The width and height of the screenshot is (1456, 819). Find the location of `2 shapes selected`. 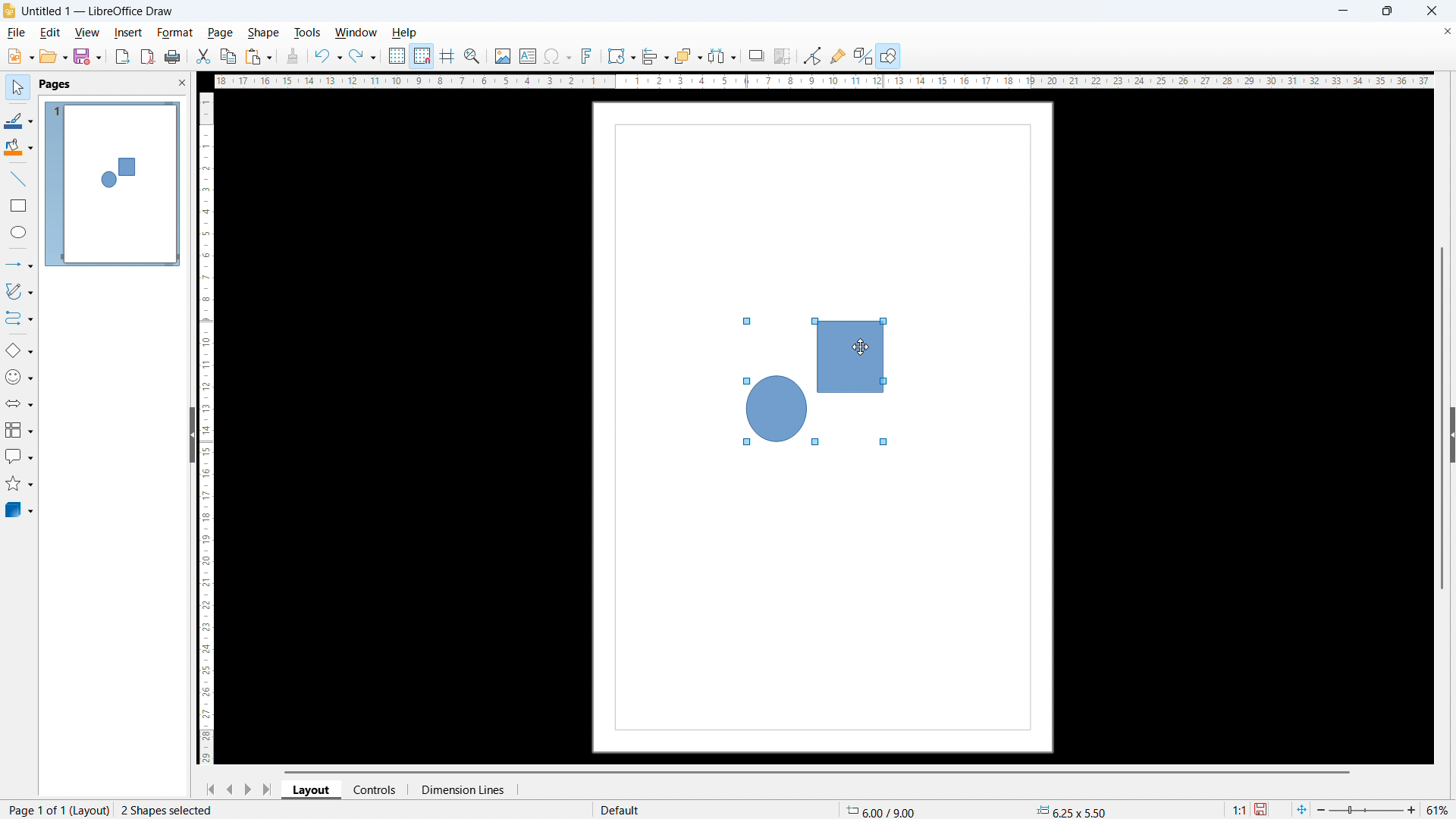

2 shapes selected is located at coordinates (170, 809).